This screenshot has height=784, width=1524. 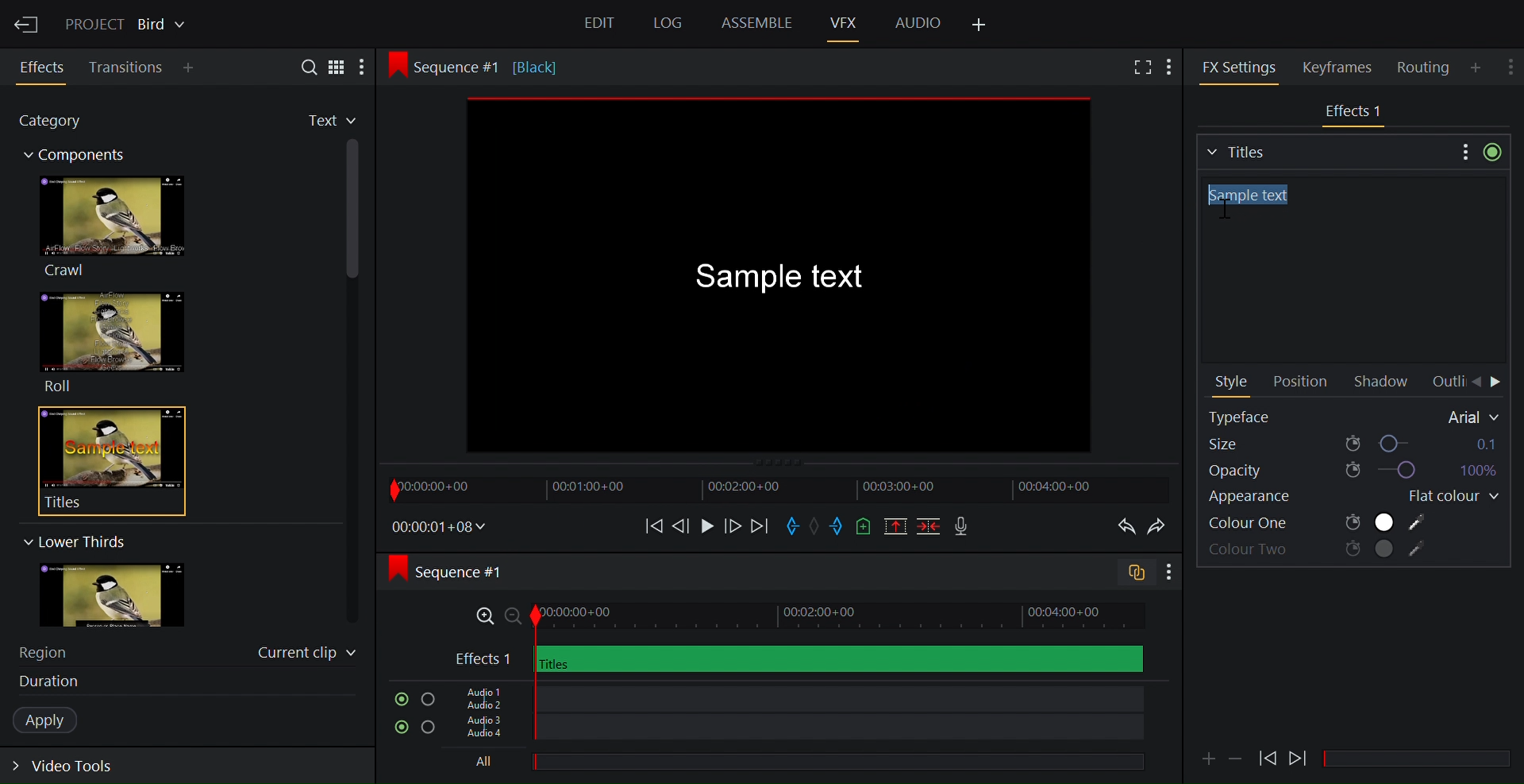 What do you see at coordinates (1476, 382) in the screenshot?
I see `Move Back` at bounding box center [1476, 382].